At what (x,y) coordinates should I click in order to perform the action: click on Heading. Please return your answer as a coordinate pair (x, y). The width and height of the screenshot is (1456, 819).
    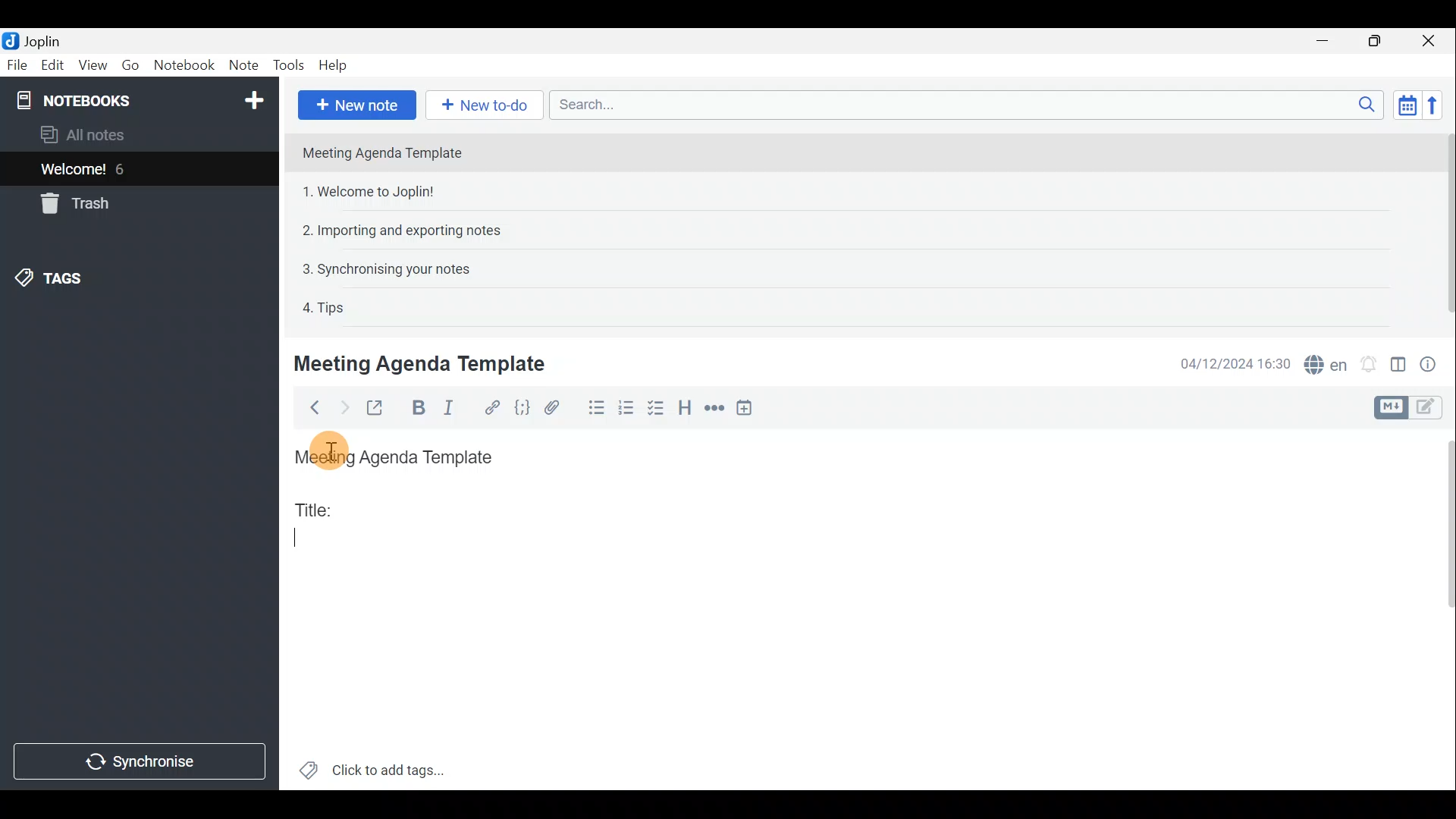
    Looking at the image, I should click on (683, 412).